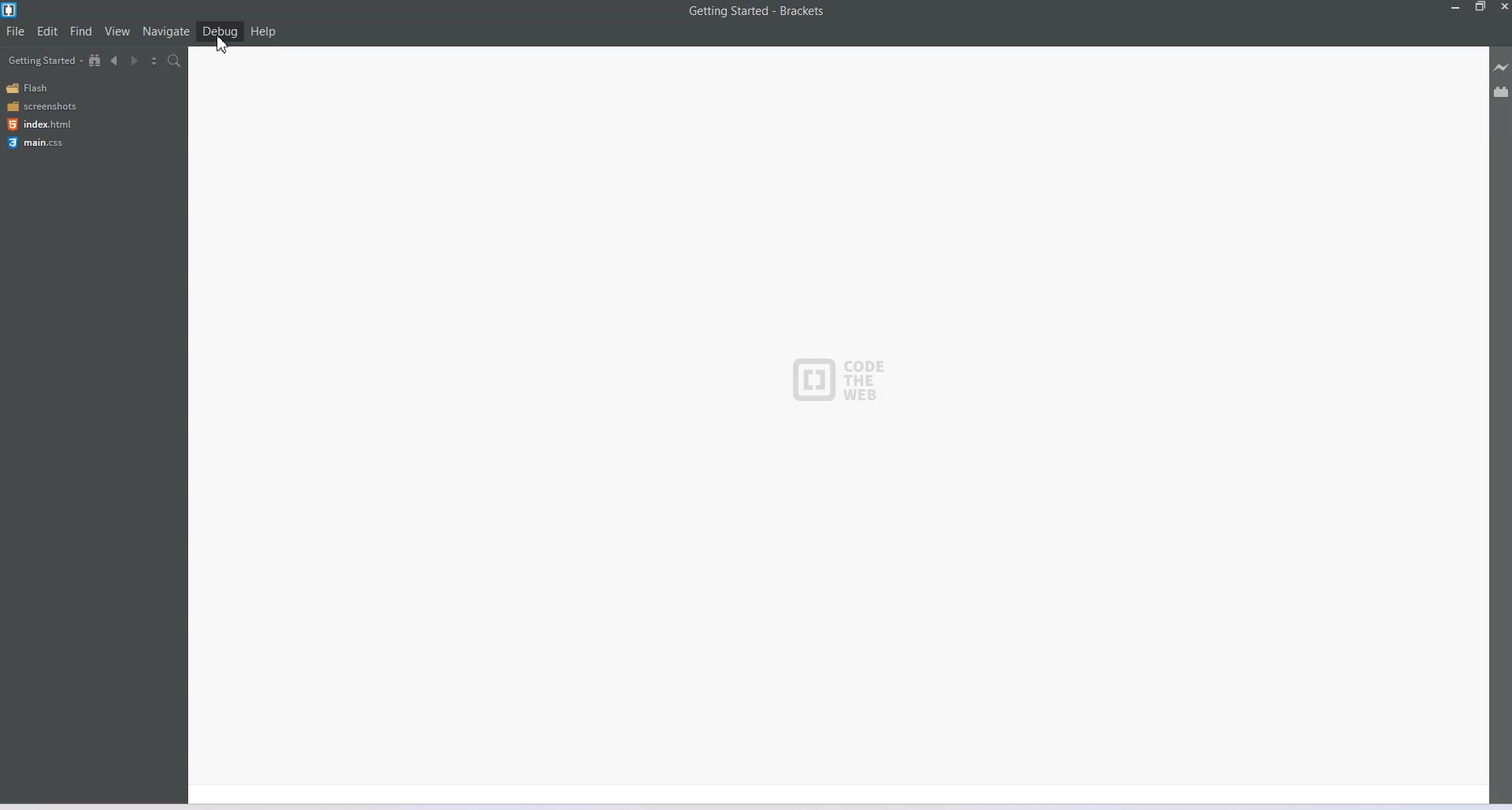 This screenshot has height=810, width=1512. I want to click on Flash, so click(32, 88).